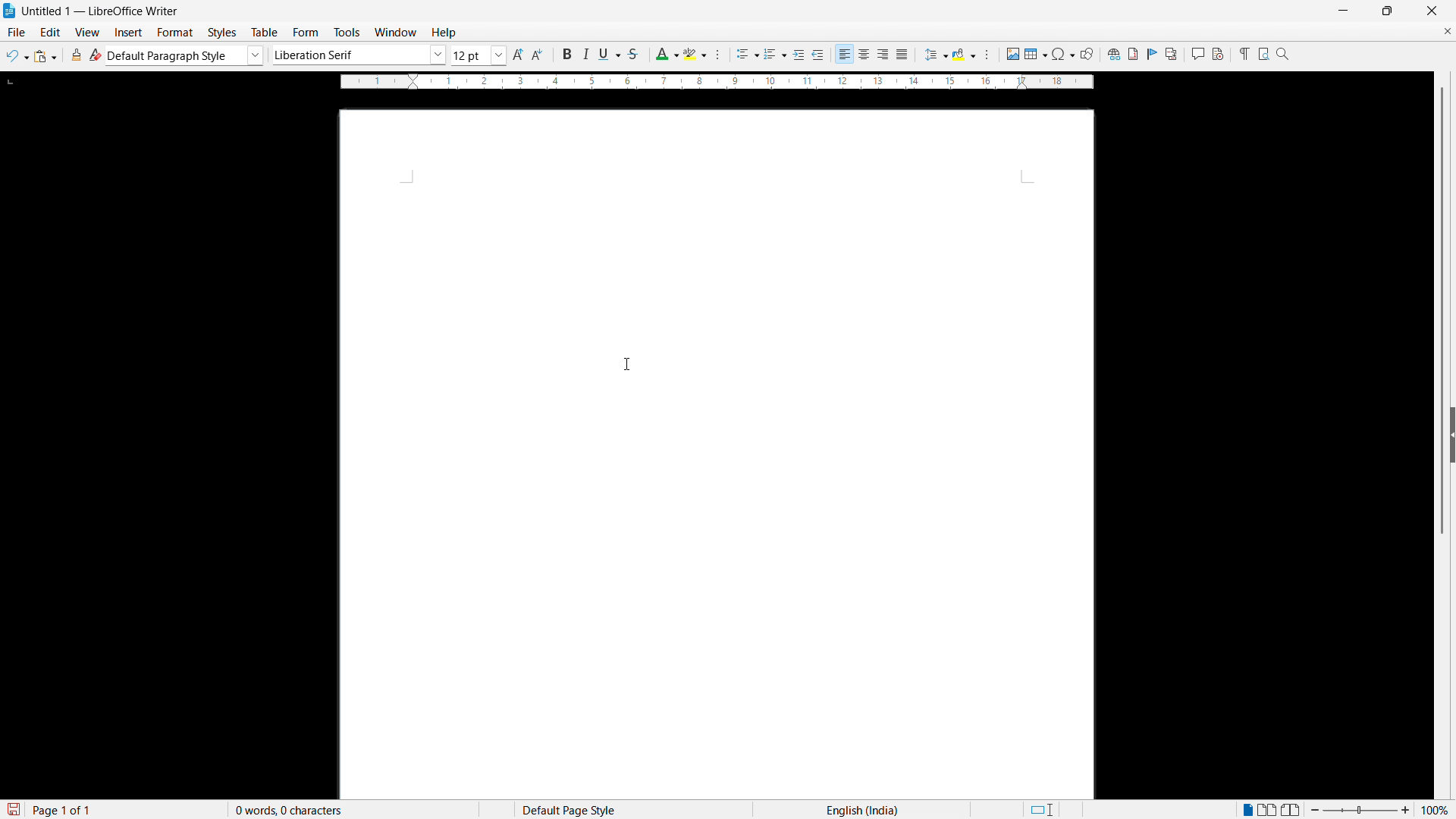  I want to click on Set line spacing , so click(935, 55).